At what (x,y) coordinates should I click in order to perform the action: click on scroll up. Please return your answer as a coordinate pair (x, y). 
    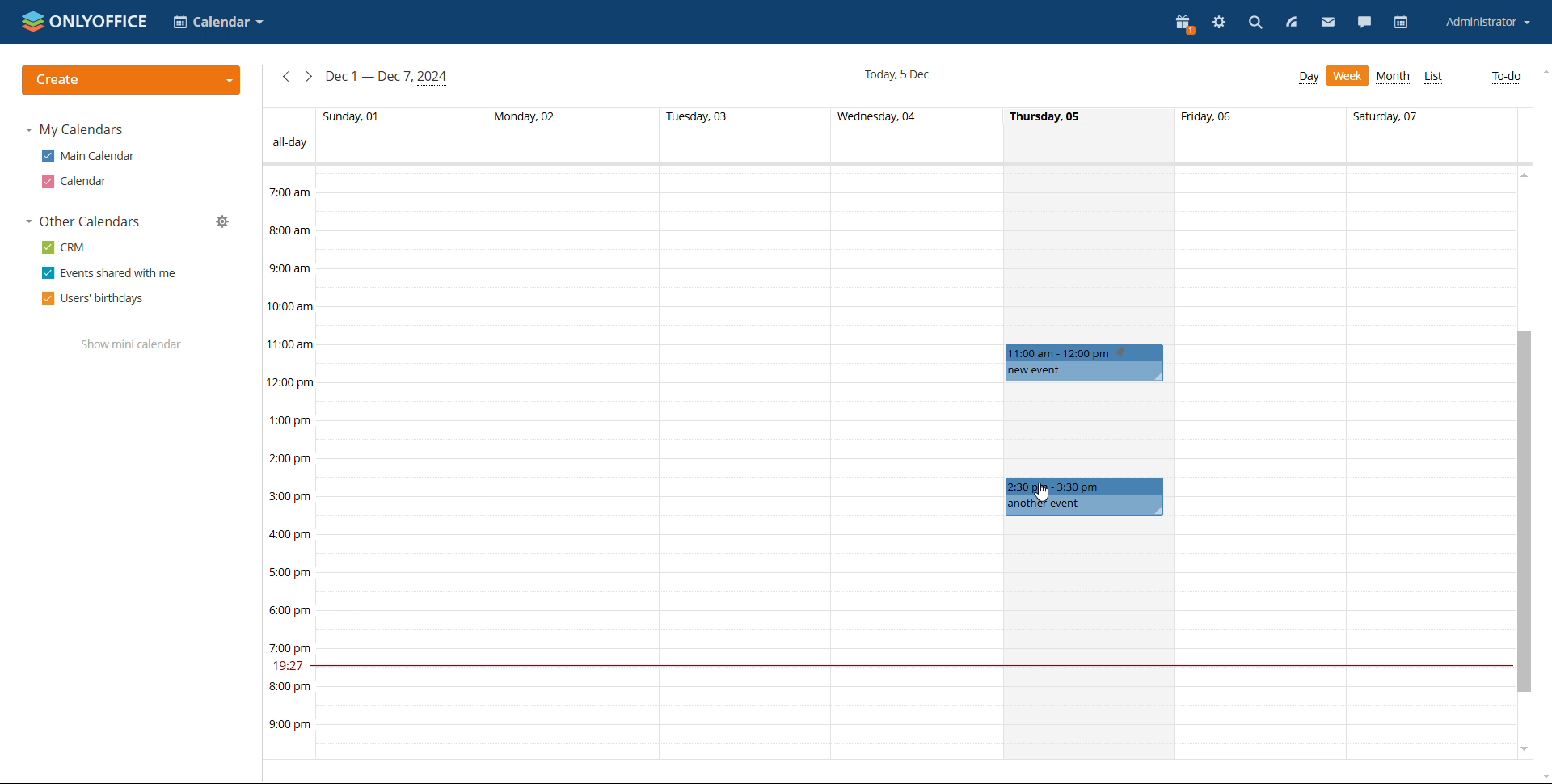
    Looking at the image, I should click on (1523, 175).